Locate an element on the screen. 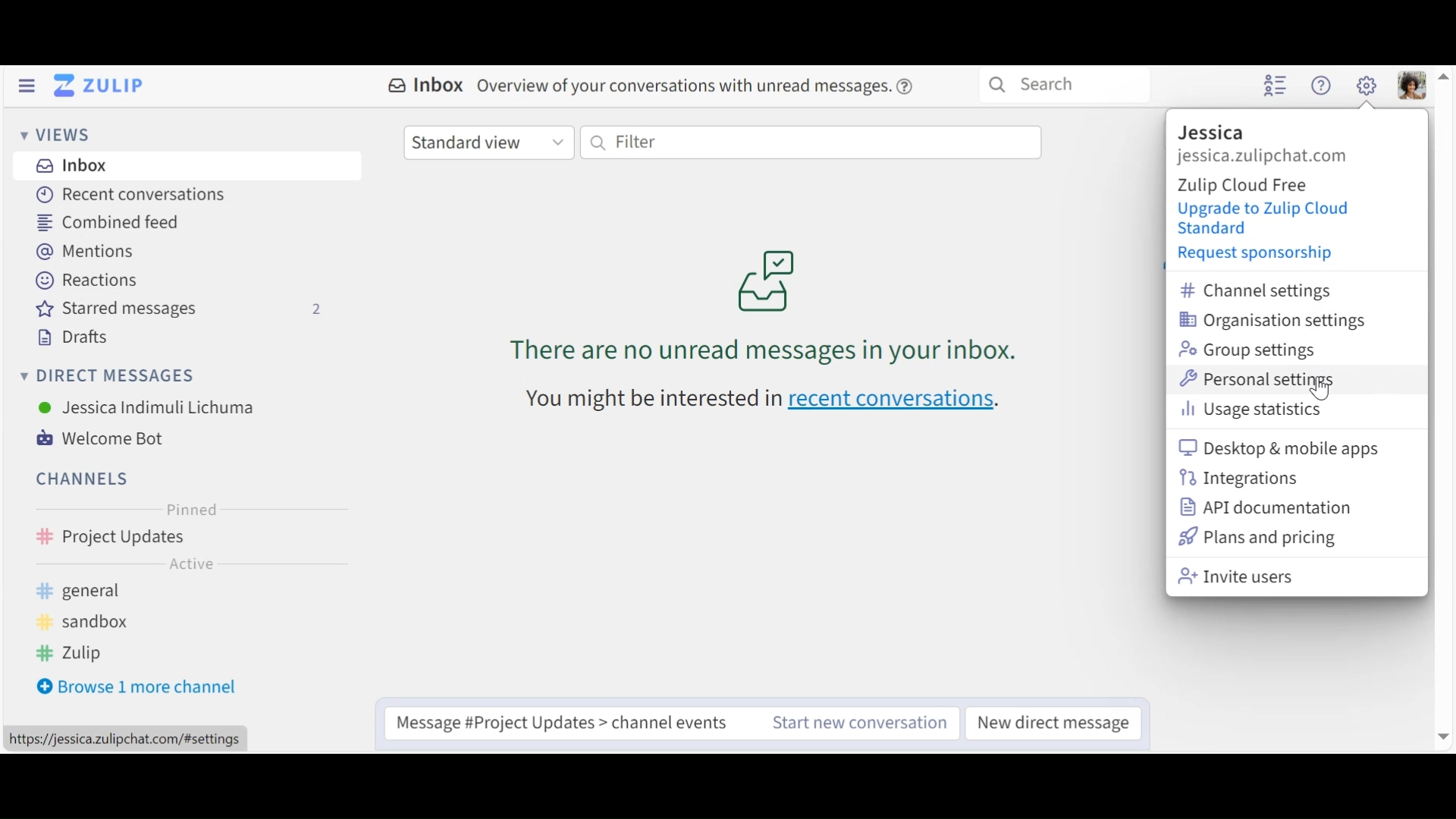 The height and width of the screenshot is (819, 1456). down is located at coordinates (1442, 736).